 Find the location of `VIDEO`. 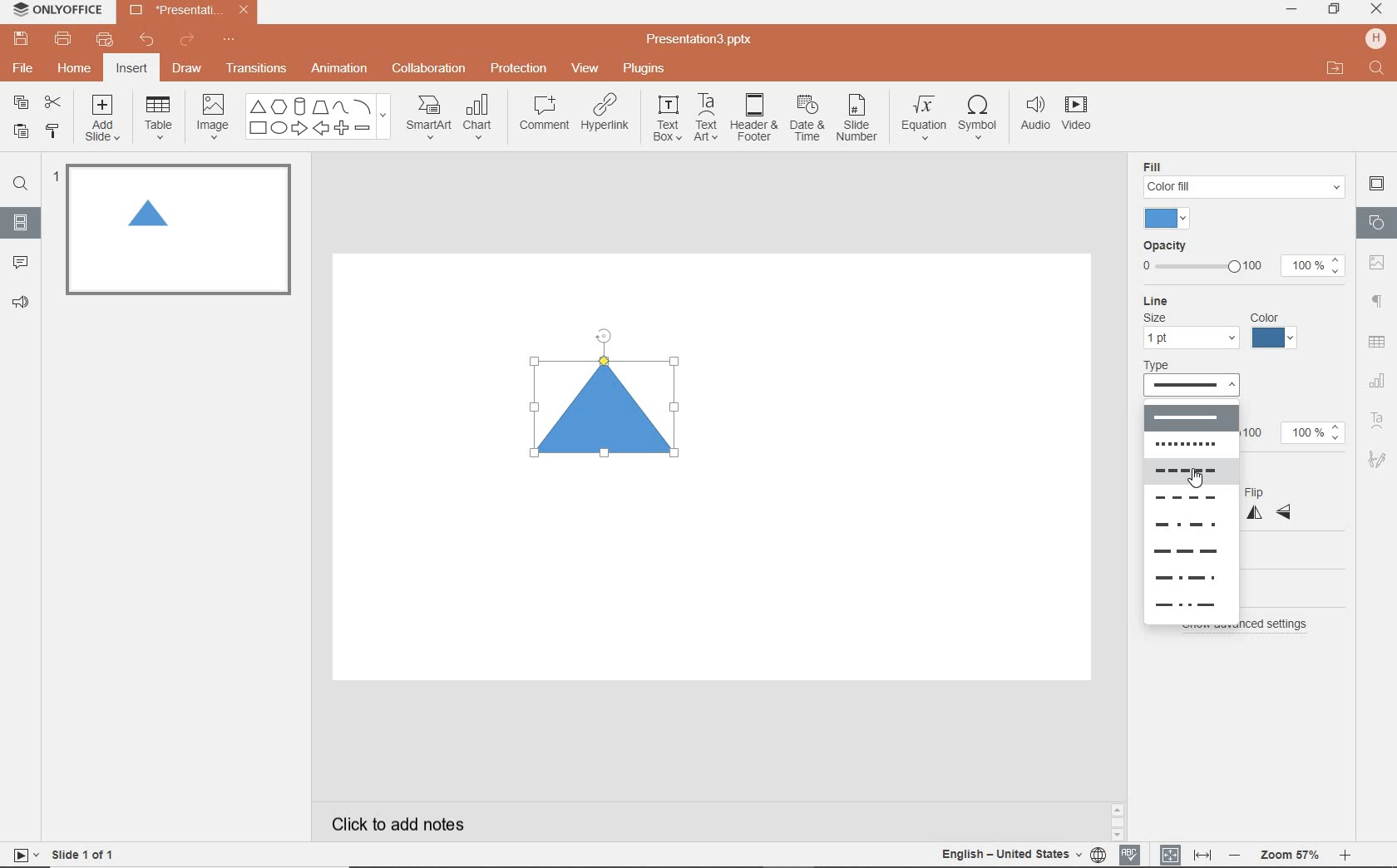

VIDEO is located at coordinates (1082, 116).